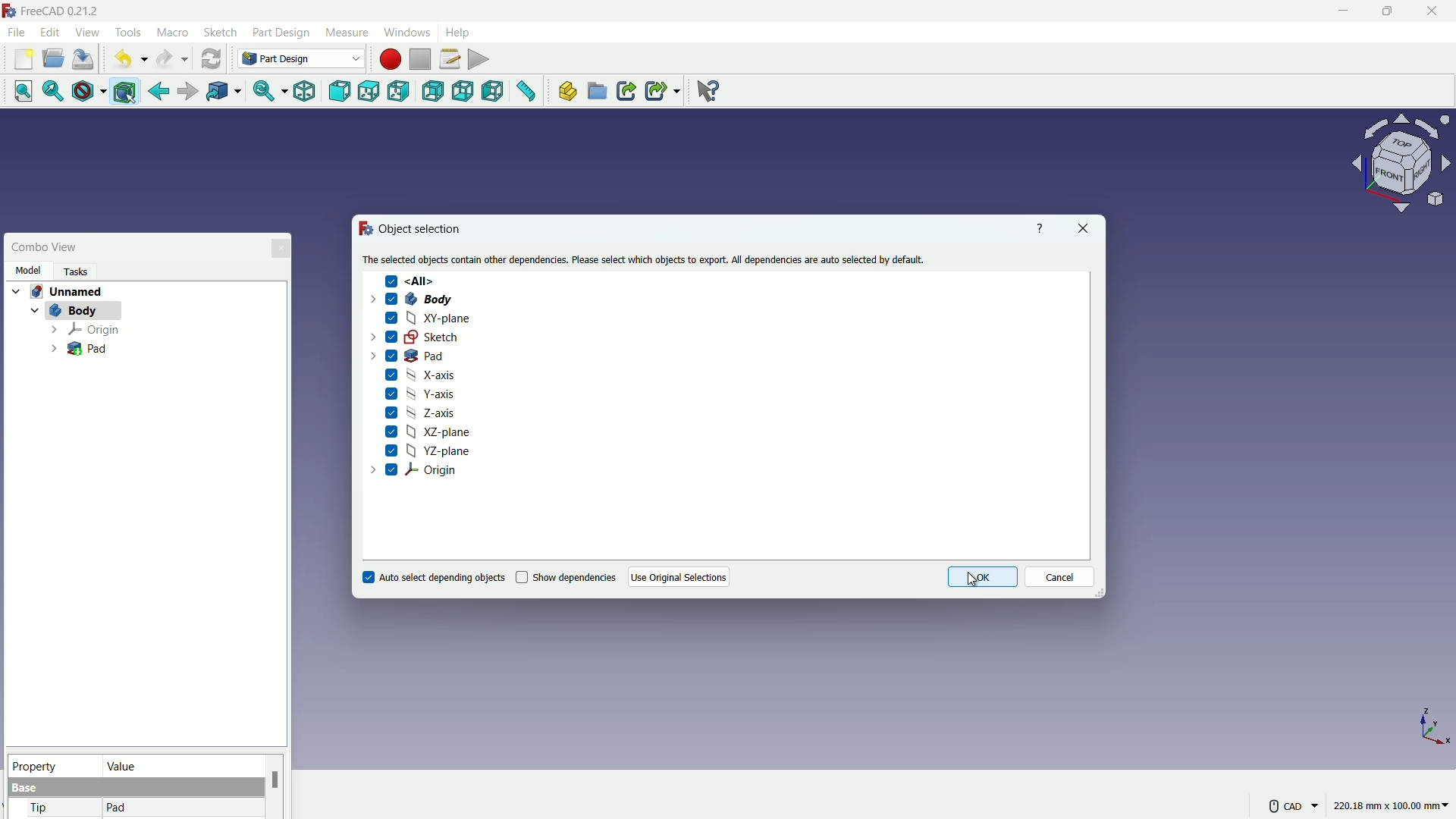  Describe the element at coordinates (1062, 576) in the screenshot. I see `Cancel` at that location.